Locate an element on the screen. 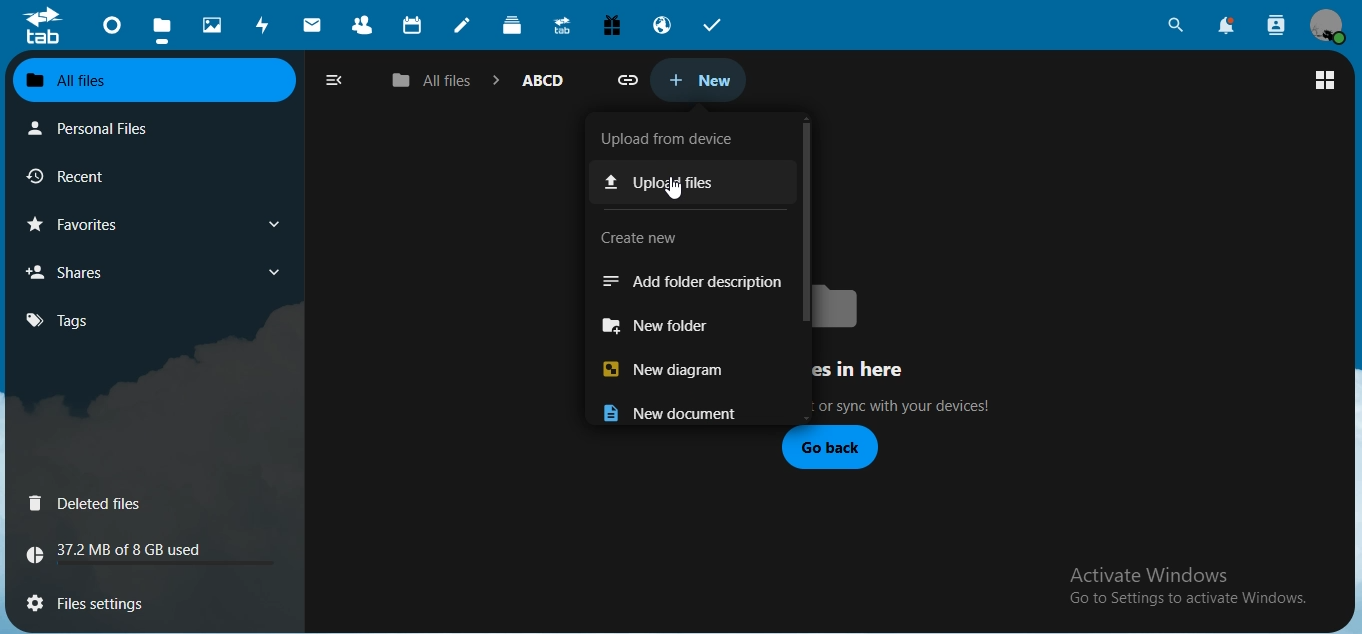 The image size is (1362, 634). new folder is located at coordinates (679, 327).